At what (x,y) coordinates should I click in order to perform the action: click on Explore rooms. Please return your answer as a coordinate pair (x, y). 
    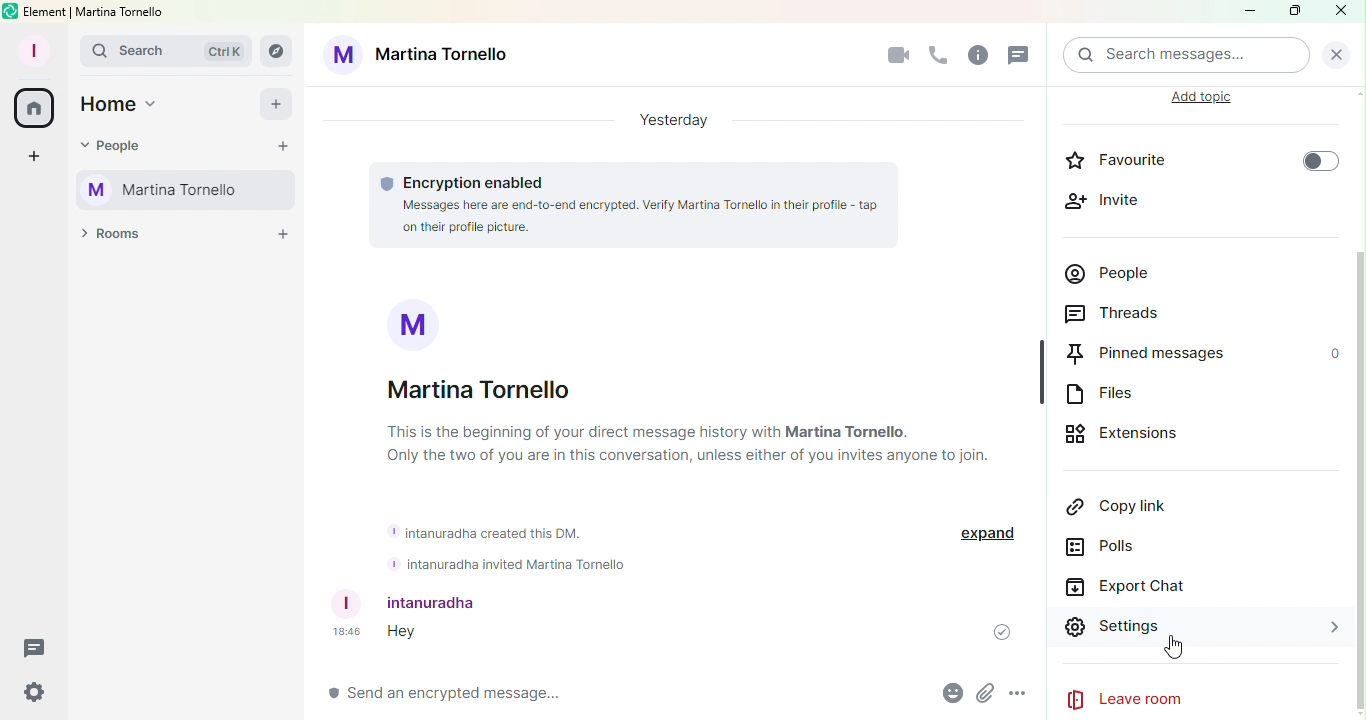
    Looking at the image, I should click on (277, 51).